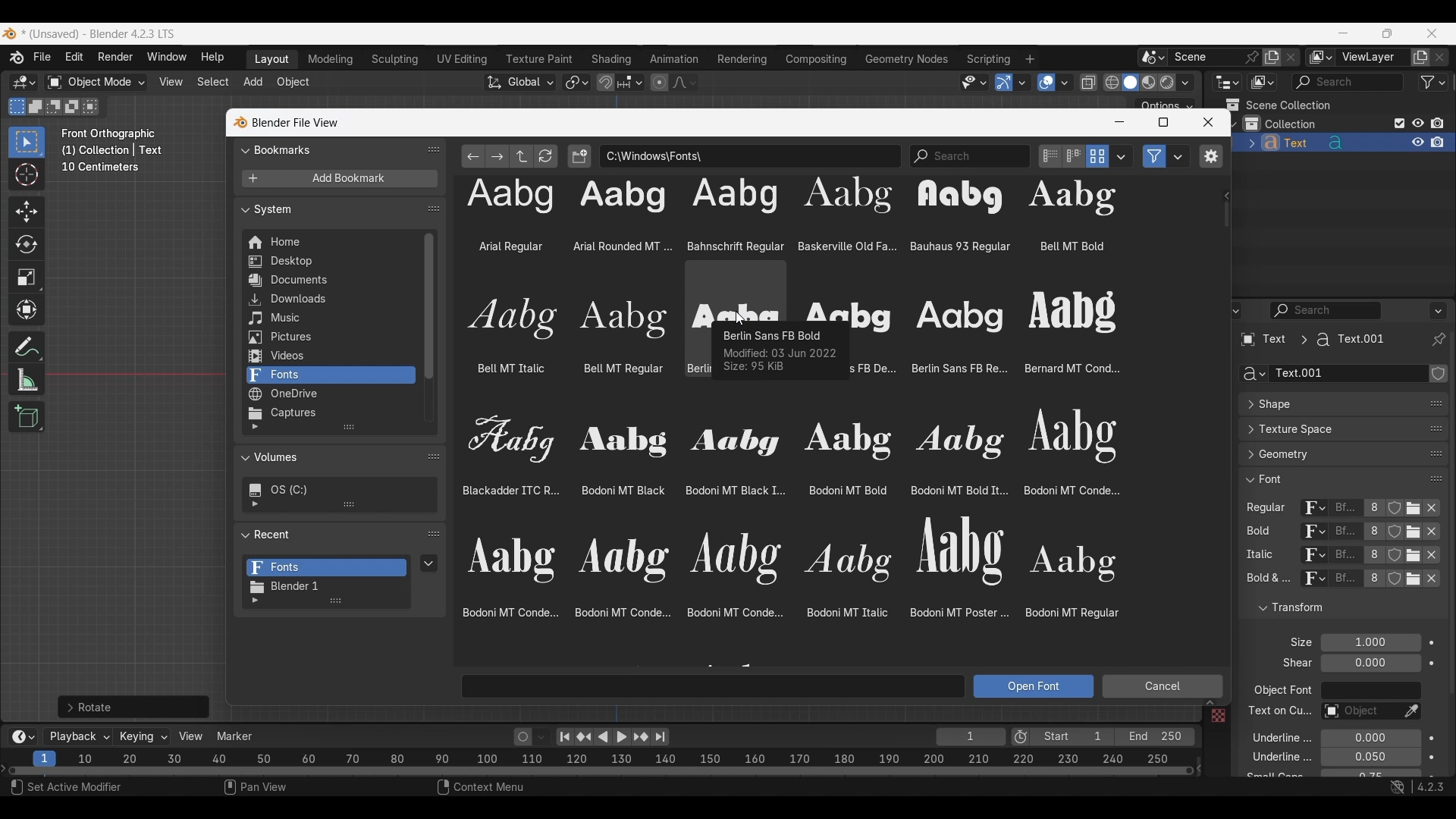  Describe the element at coordinates (1373, 509) in the screenshot. I see `Display number of users of this data for respective attribute` at that location.